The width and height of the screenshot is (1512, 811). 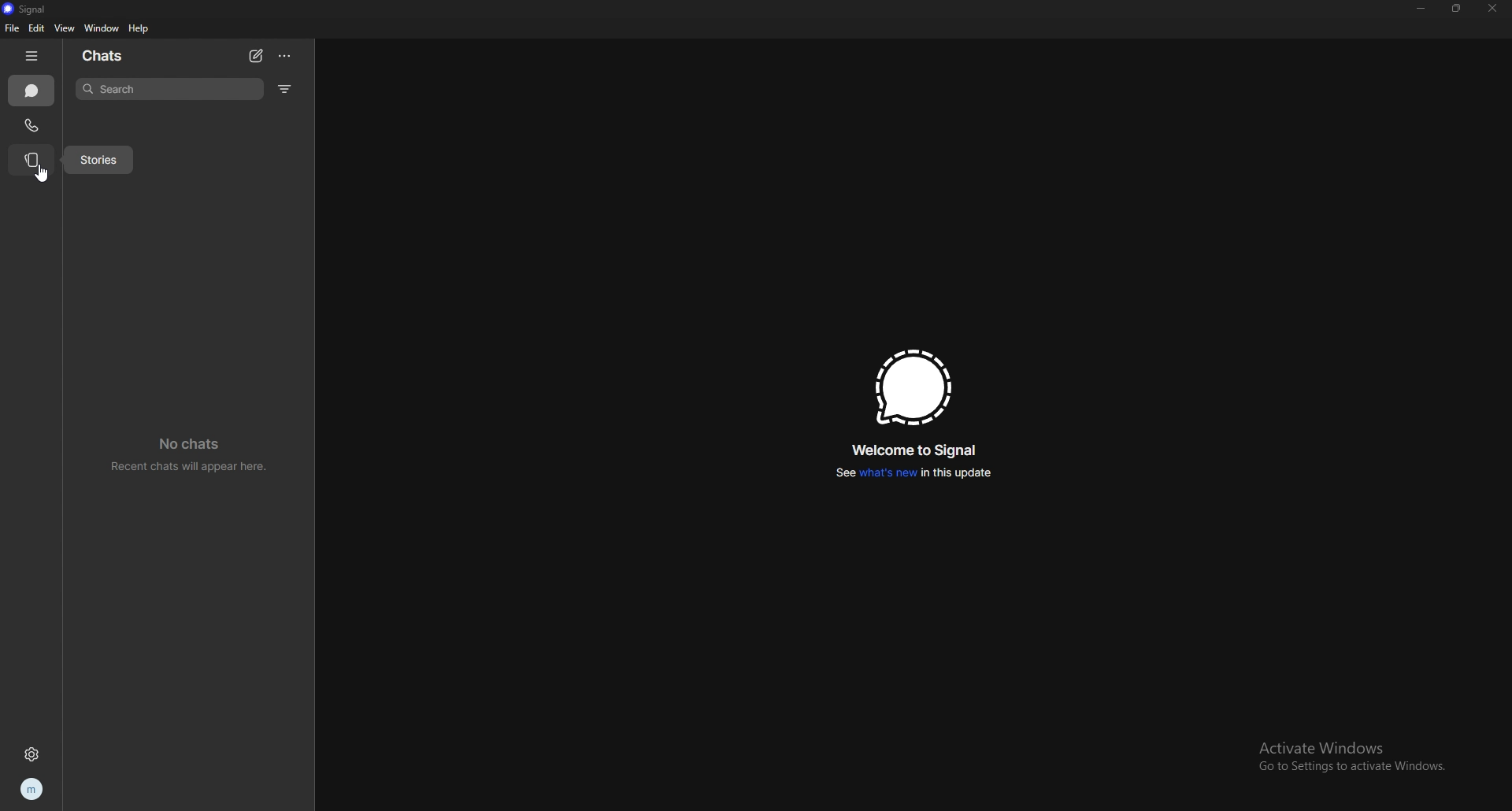 What do you see at coordinates (102, 28) in the screenshot?
I see `window` at bounding box center [102, 28].